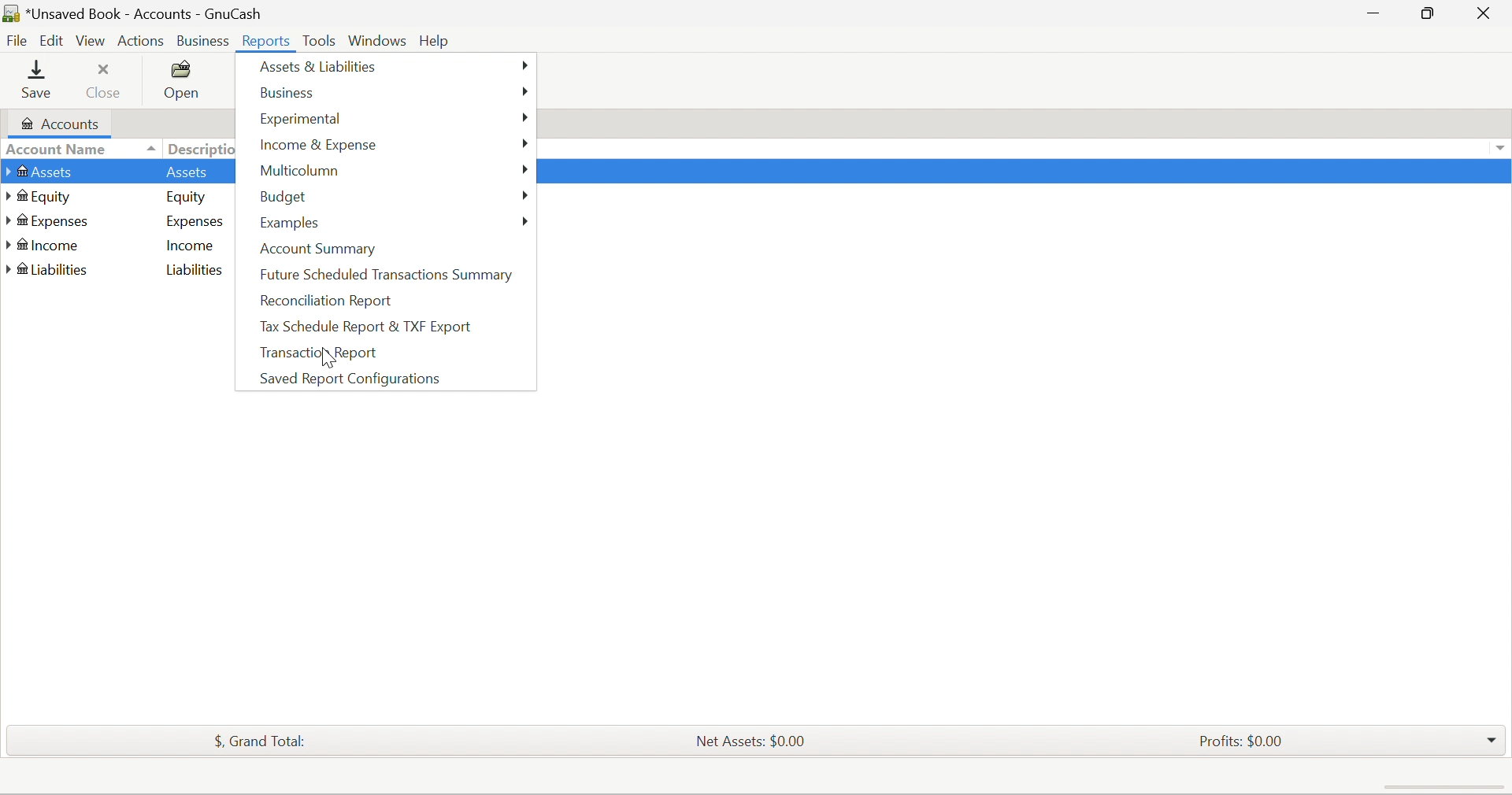 The width and height of the screenshot is (1512, 795). I want to click on Multicolumn, so click(300, 172).